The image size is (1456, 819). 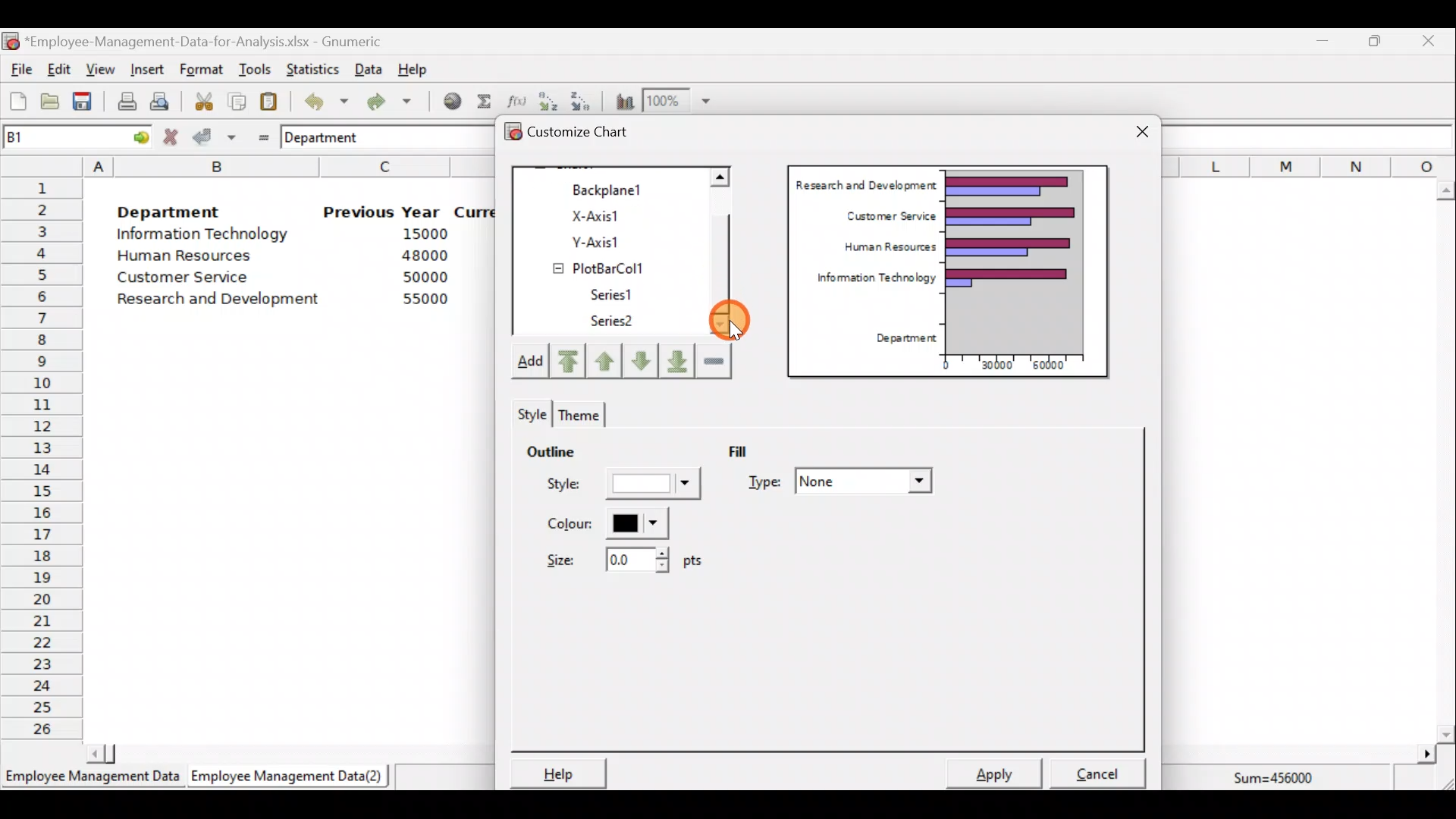 What do you see at coordinates (205, 234) in the screenshot?
I see `Information Technology` at bounding box center [205, 234].